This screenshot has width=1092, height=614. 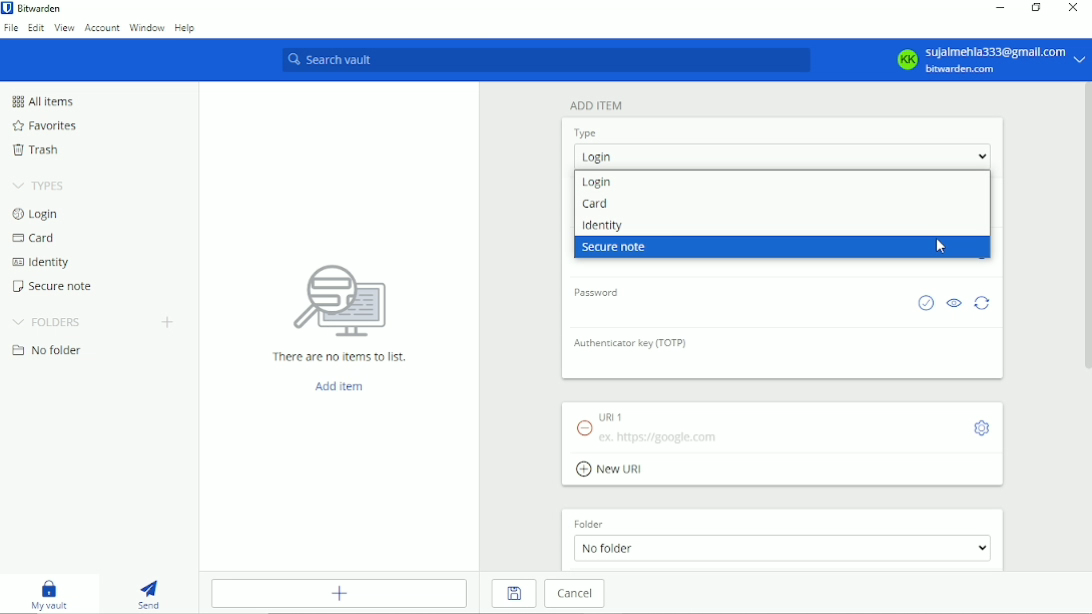 What do you see at coordinates (513, 594) in the screenshot?
I see `Save` at bounding box center [513, 594].